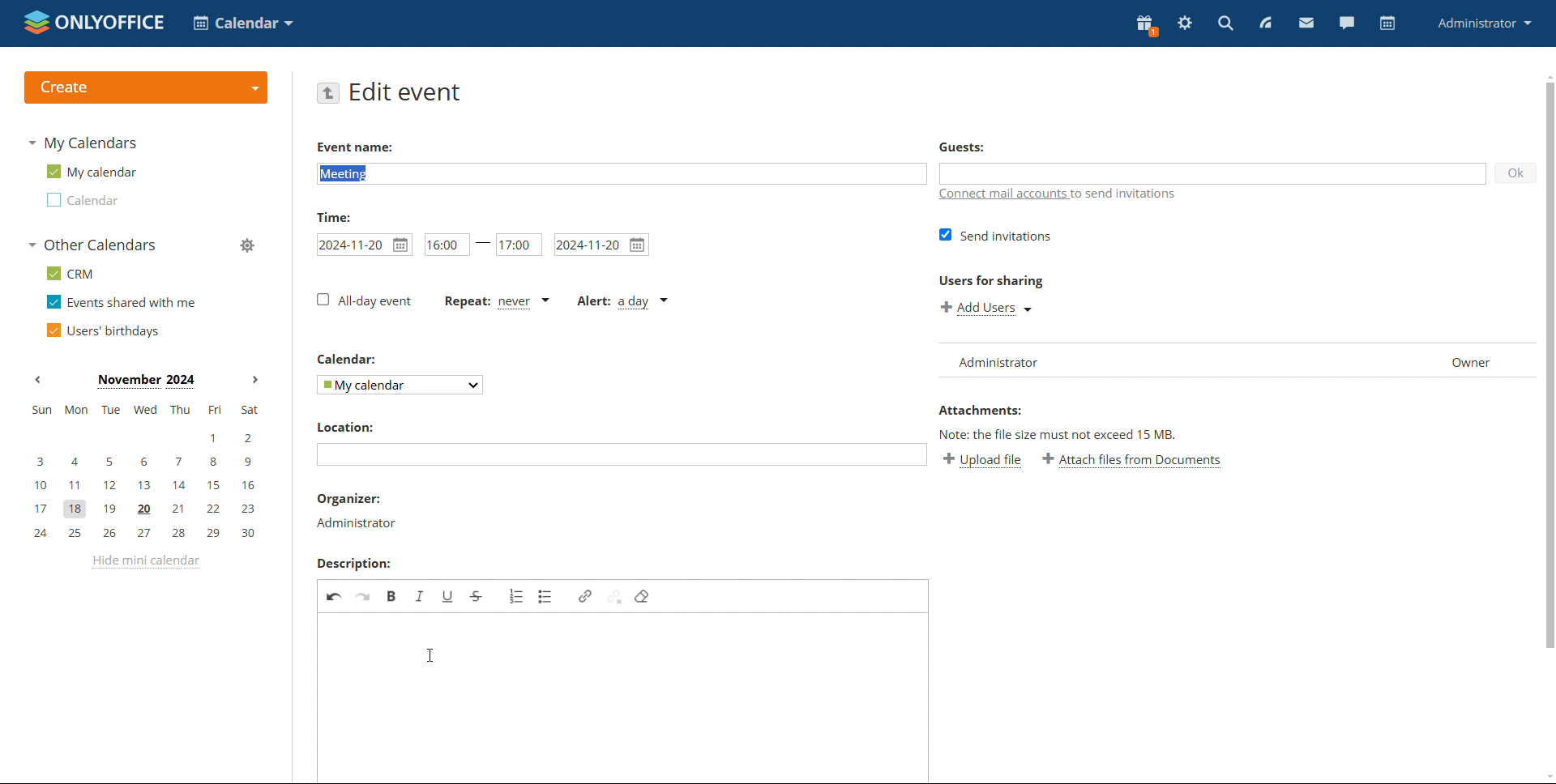 The image size is (1556, 784). I want to click on upload file, so click(984, 462).